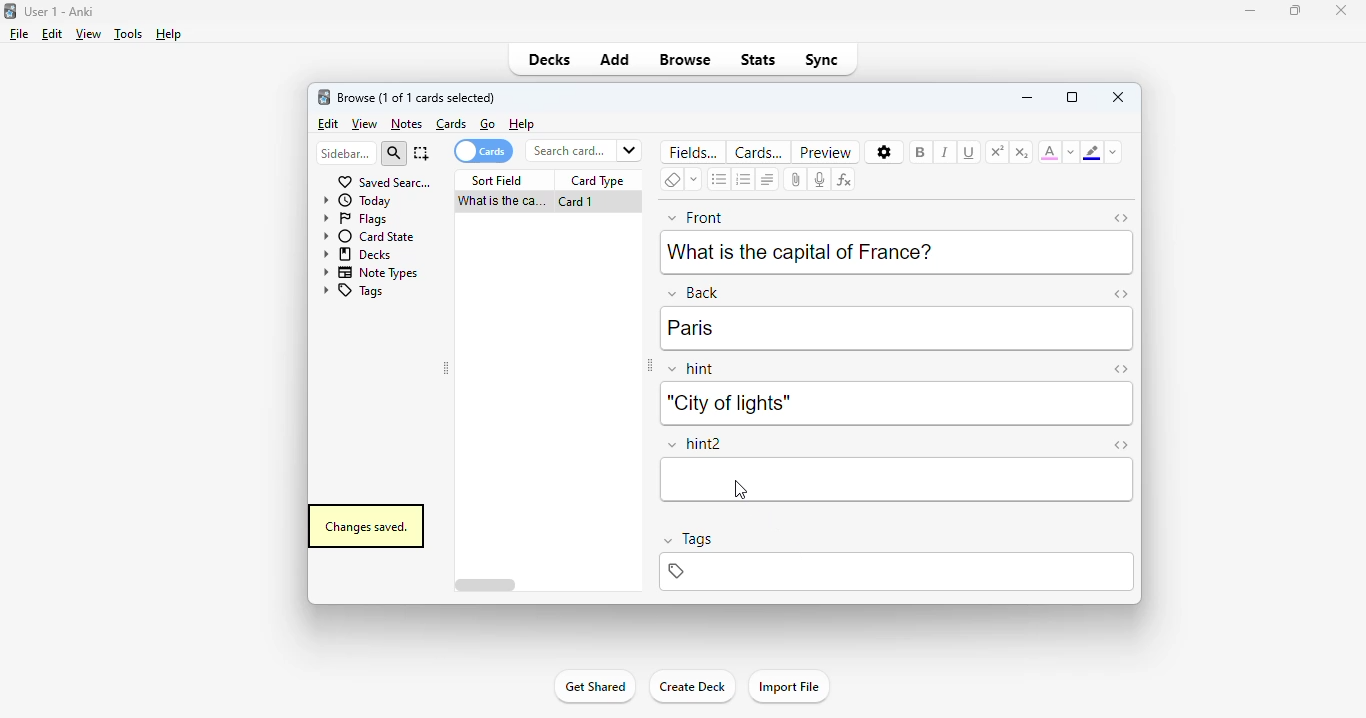 This screenshot has height=718, width=1366. I want to click on change color, so click(1113, 152).